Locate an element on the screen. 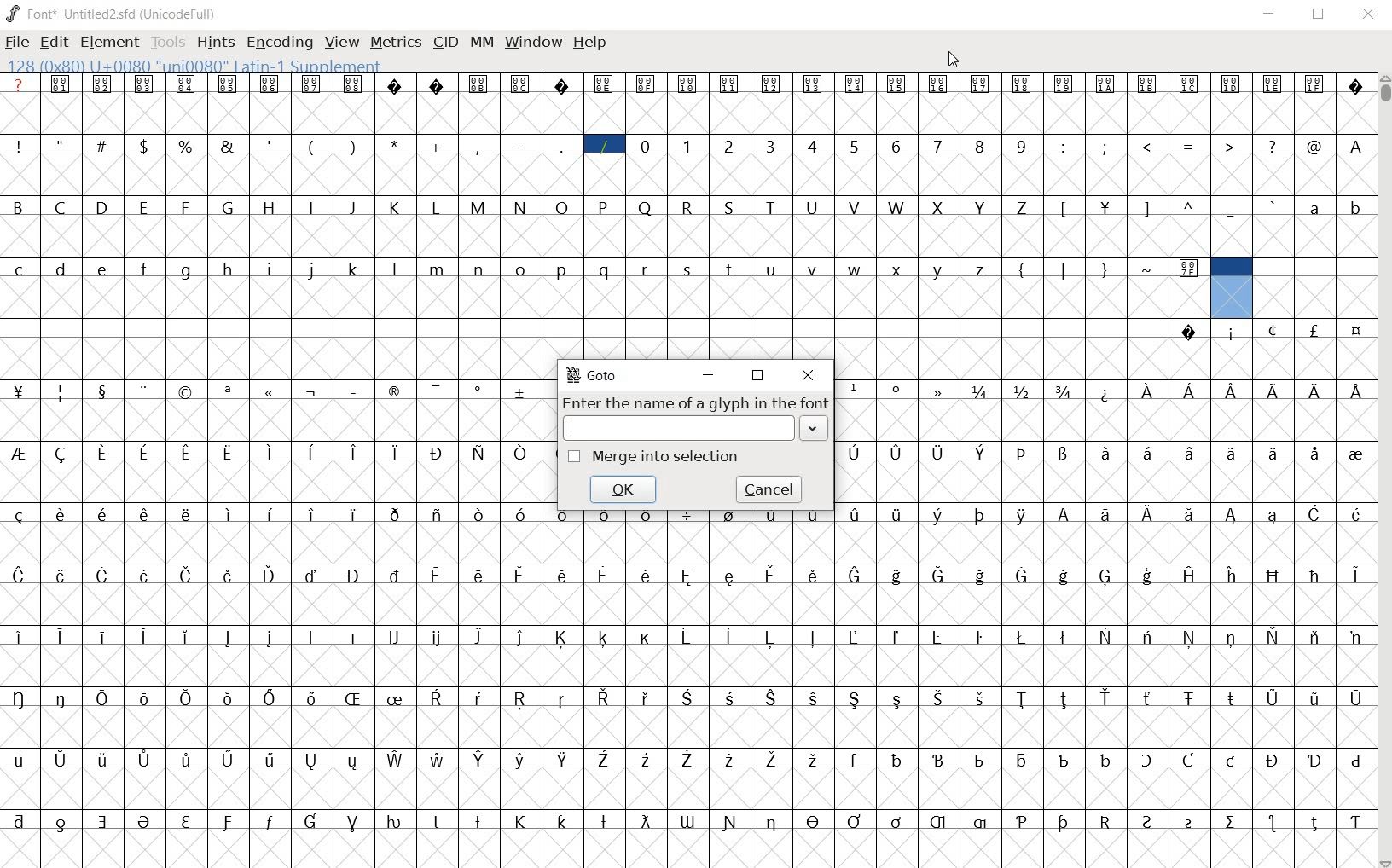 This screenshot has width=1392, height=868. cancel is located at coordinates (771, 489).